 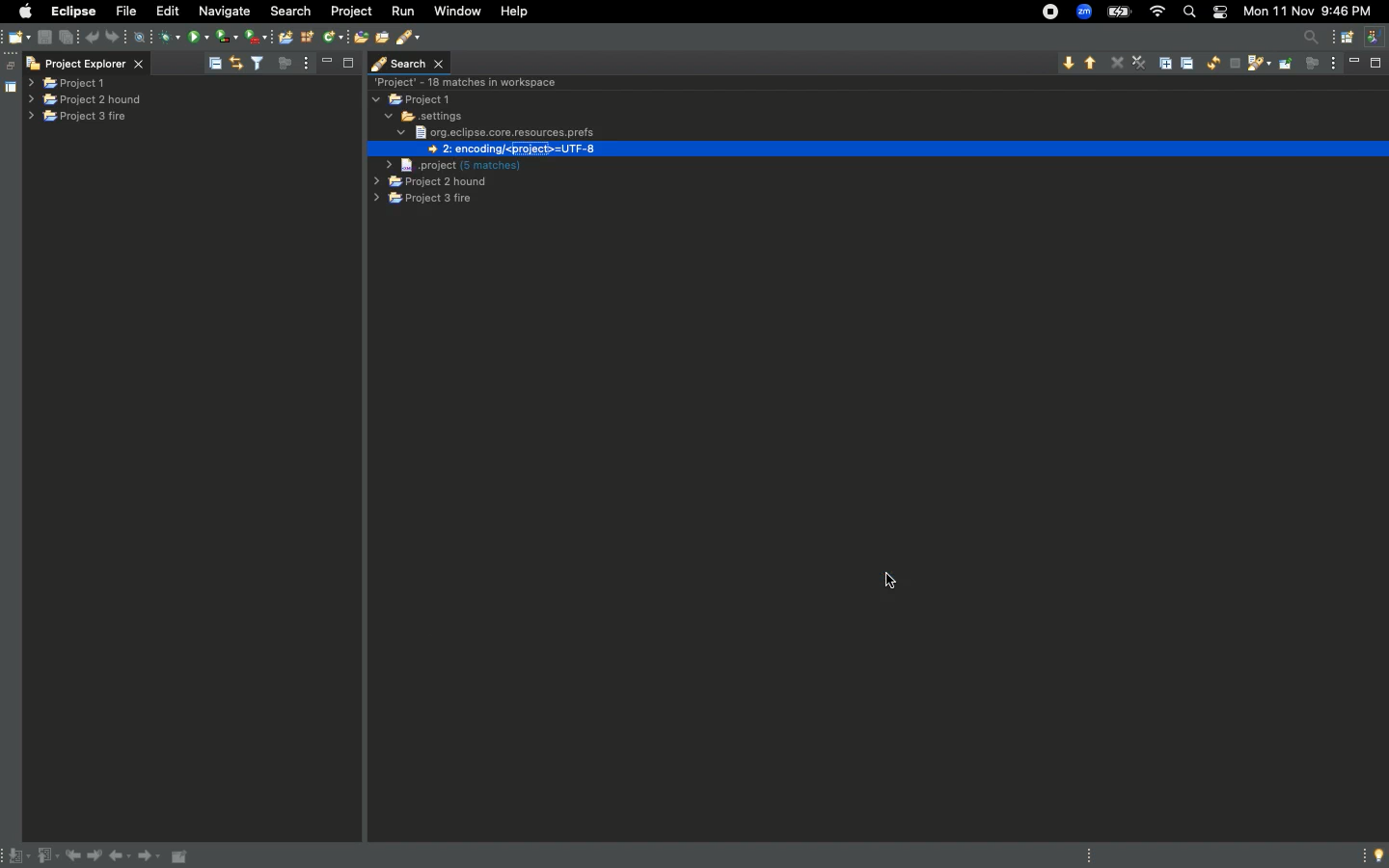 What do you see at coordinates (258, 63) in the screenshot?
I see `filter` at bounding box center [258, 63].